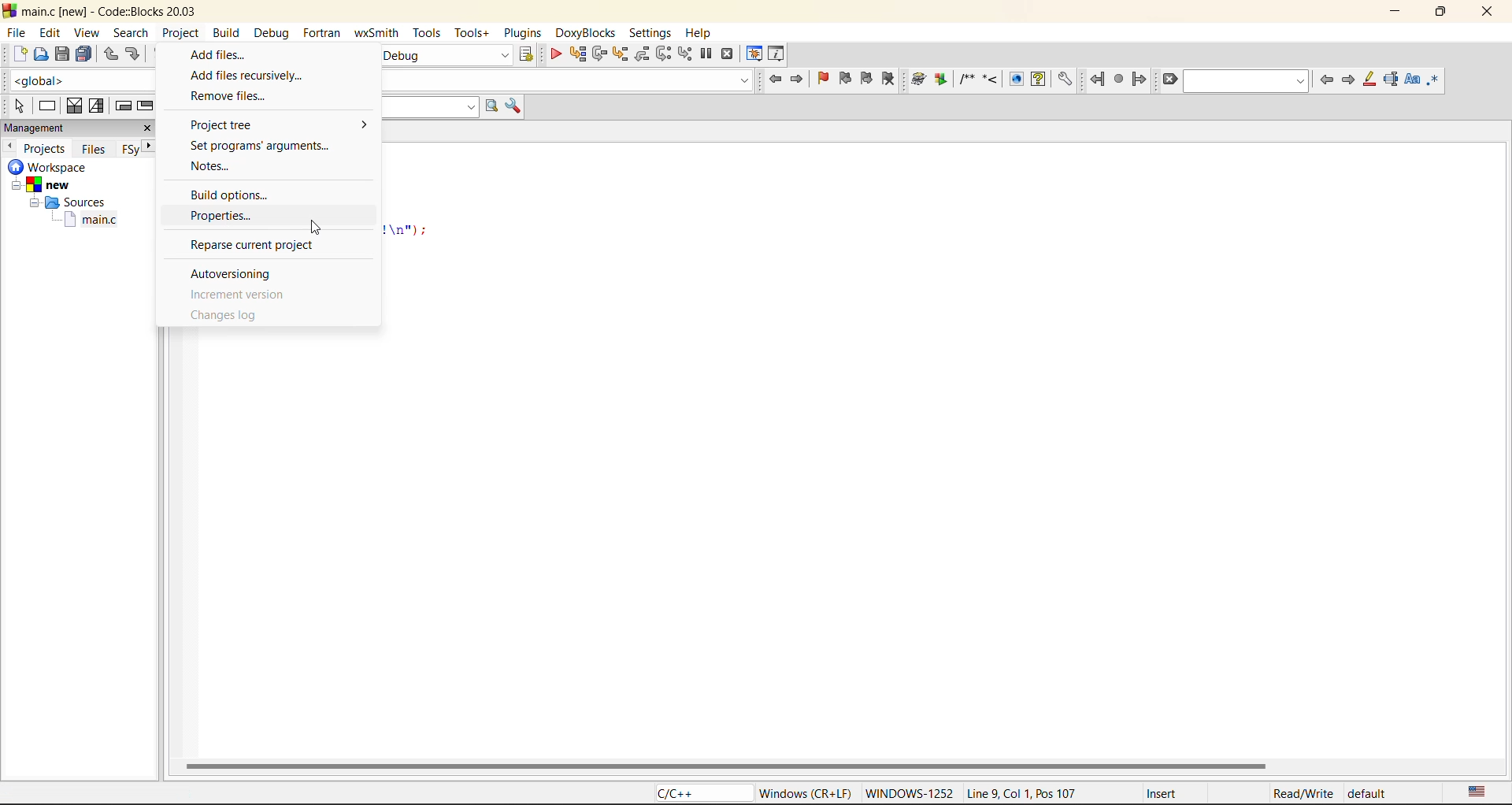  Describe the element at coordinates (63, 184) in the screenshot. I see `new` at that location.